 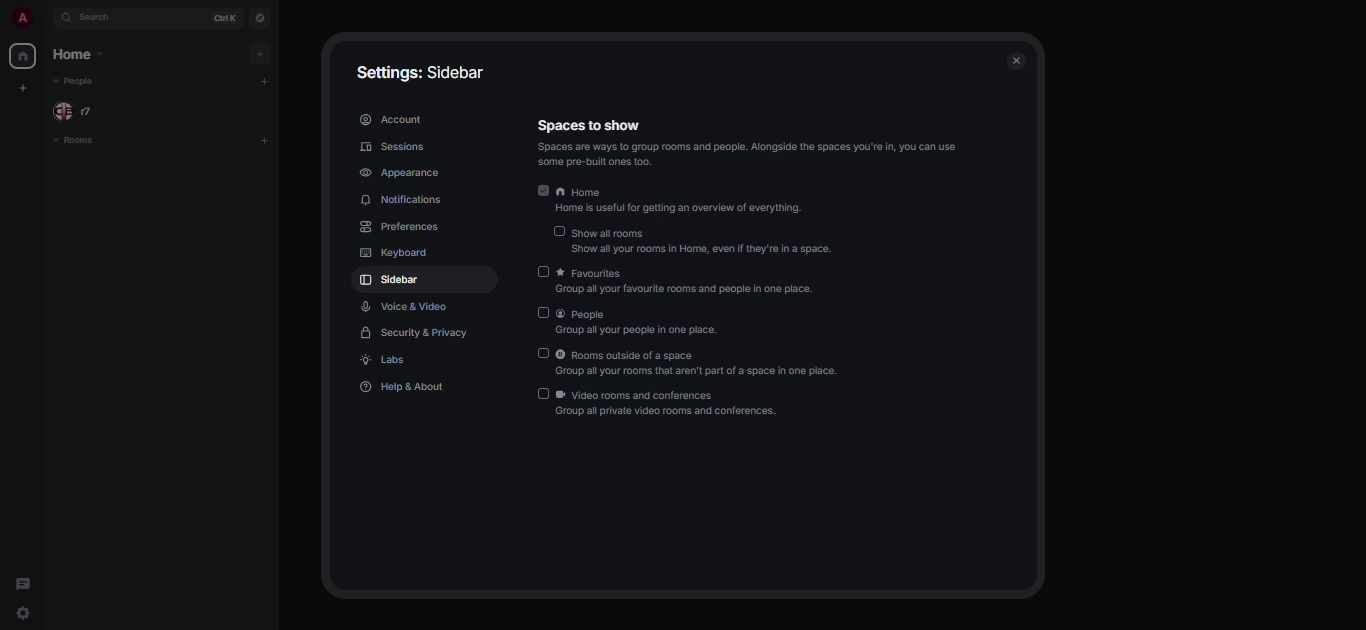 What do you see at coordinates (77, 111) in the screenshot?
I see `people` at bounding box center [77, 111].